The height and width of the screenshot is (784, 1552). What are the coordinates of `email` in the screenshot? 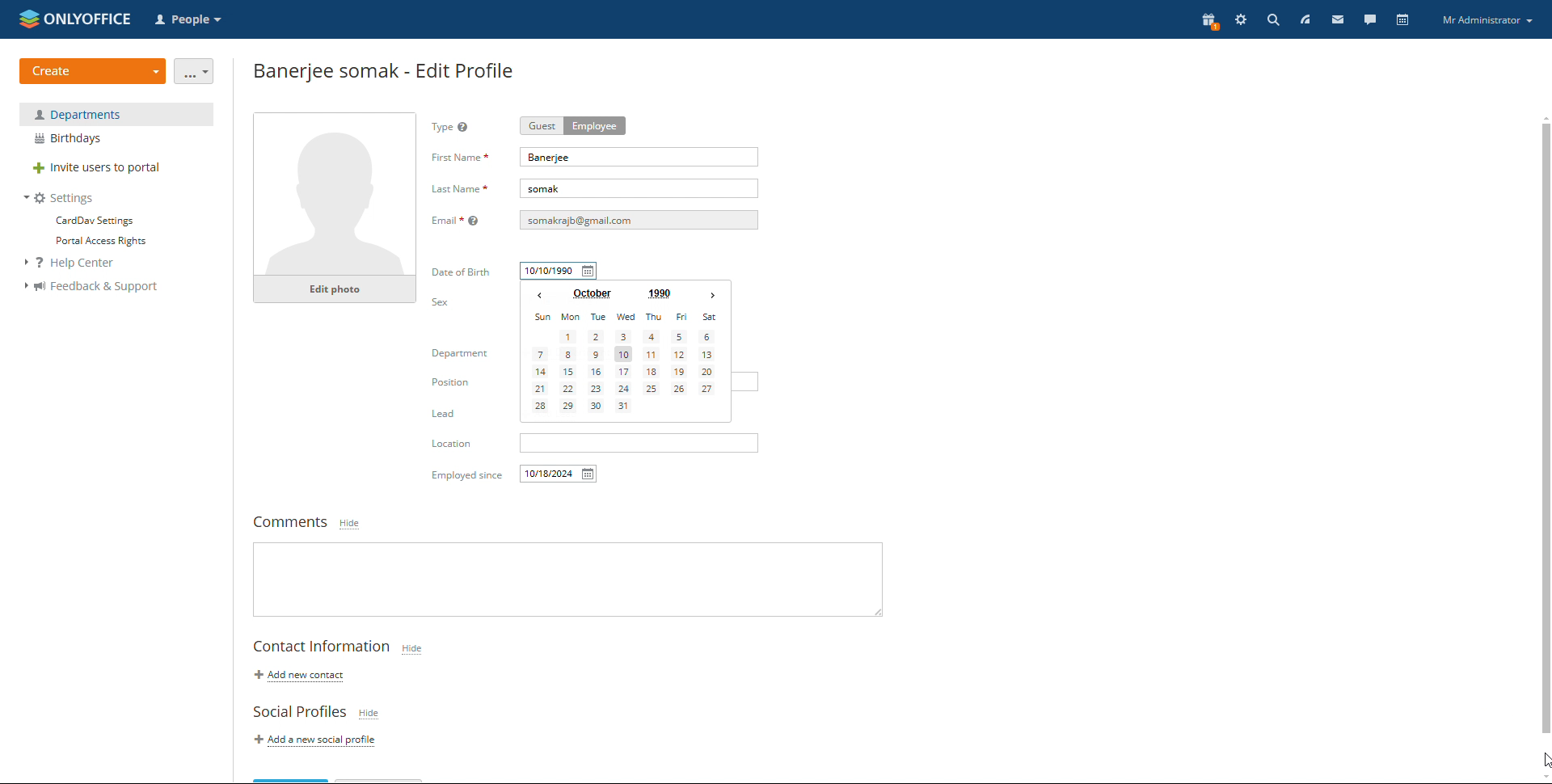 It's located at (639, 220).